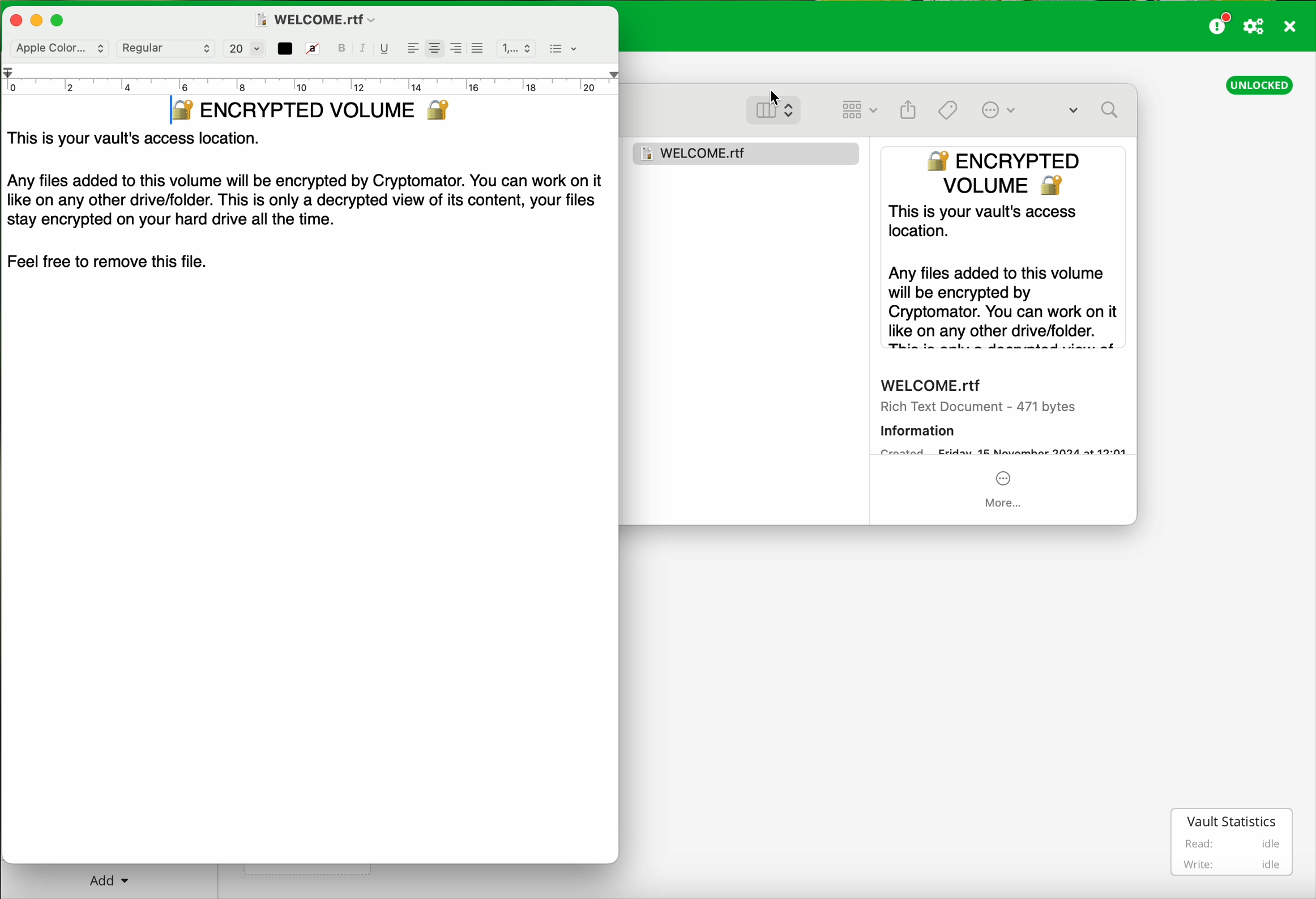 Image resolution: width=1316 pixels, height=899 pixels. What do you see at coordinates (455, 46) in the screenshot?
I see `right` at bounding box center [455, 46].